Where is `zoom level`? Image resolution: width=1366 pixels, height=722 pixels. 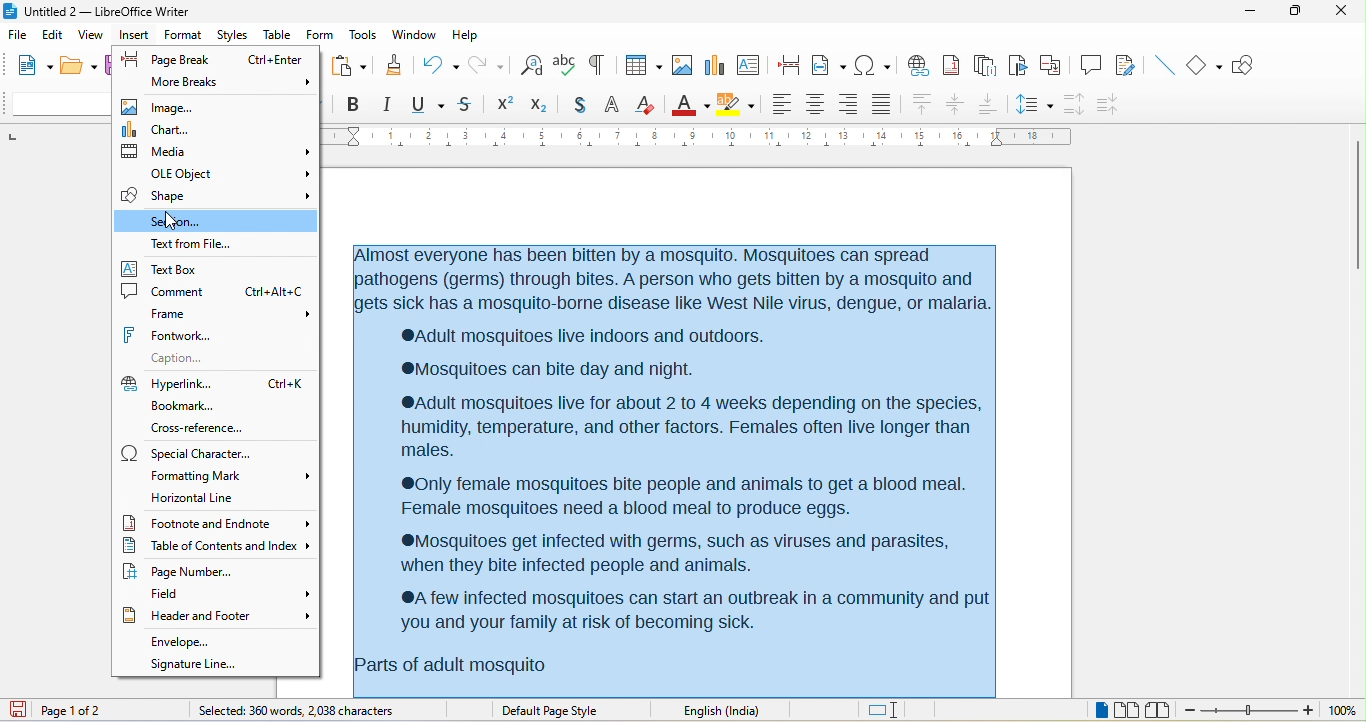 zoom level is located at coordinates (1342, 711).